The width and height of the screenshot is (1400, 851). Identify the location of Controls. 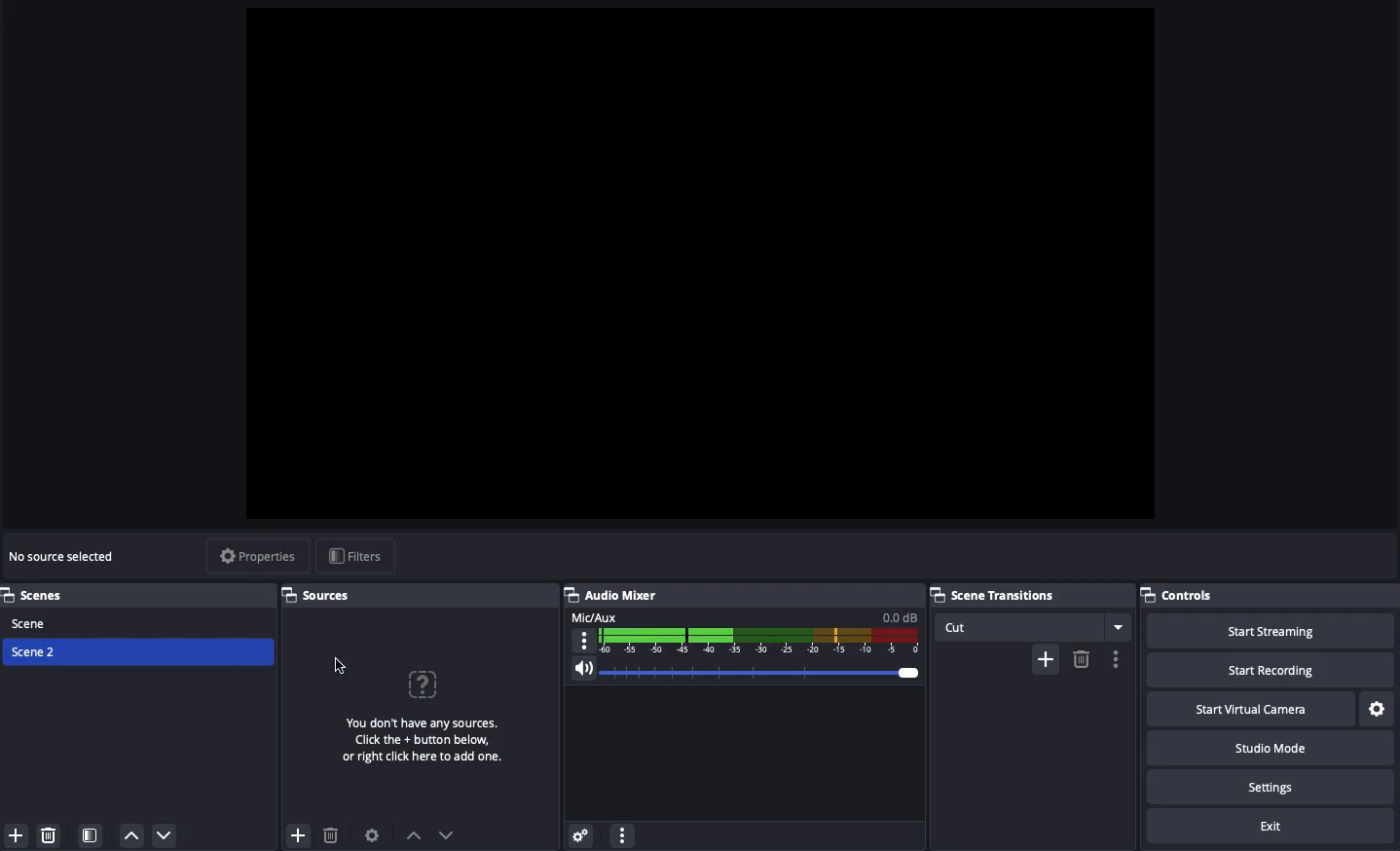
(1179, 595).